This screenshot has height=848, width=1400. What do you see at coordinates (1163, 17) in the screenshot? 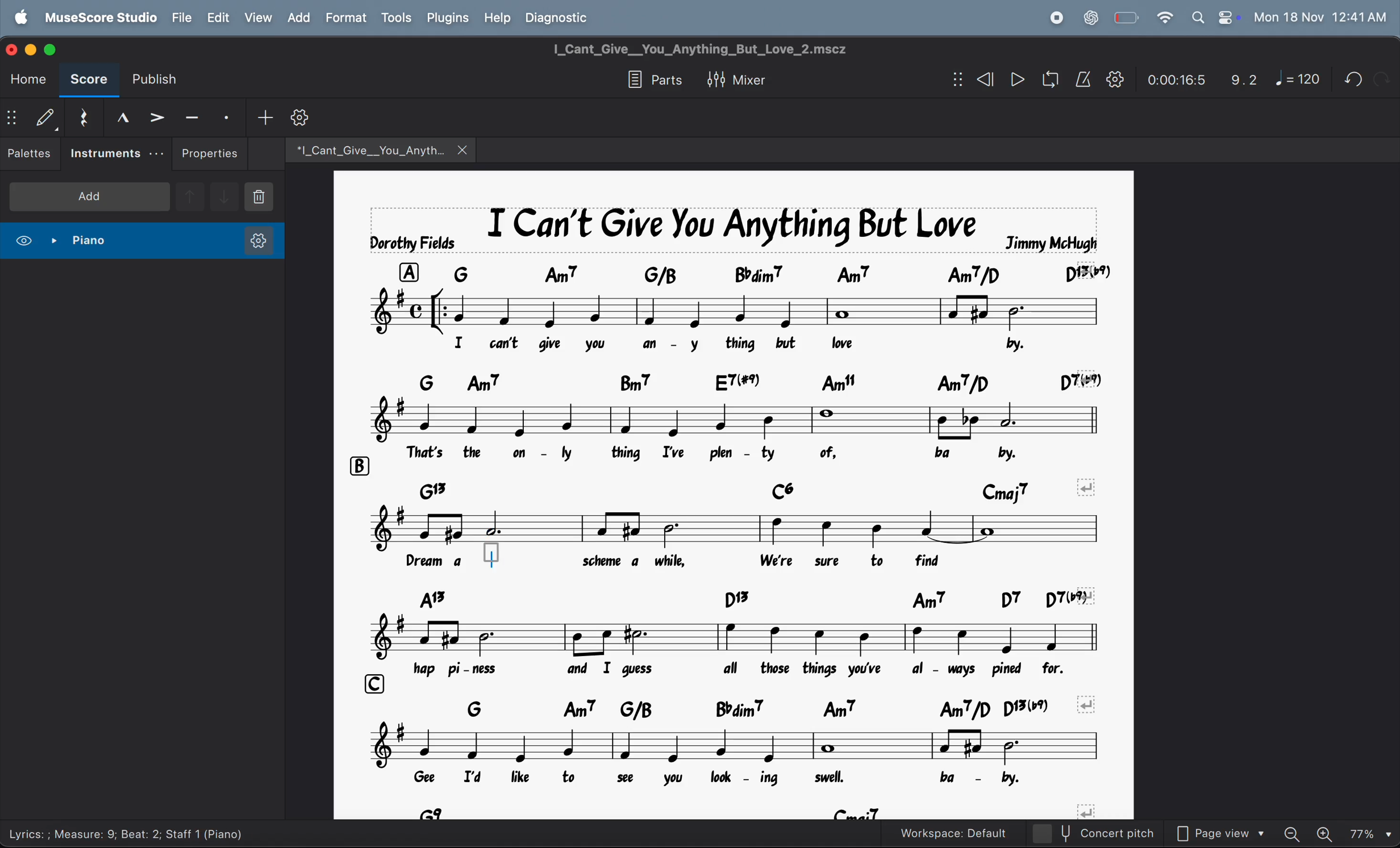
I see `wifi` at bounding box center [1163, 17].